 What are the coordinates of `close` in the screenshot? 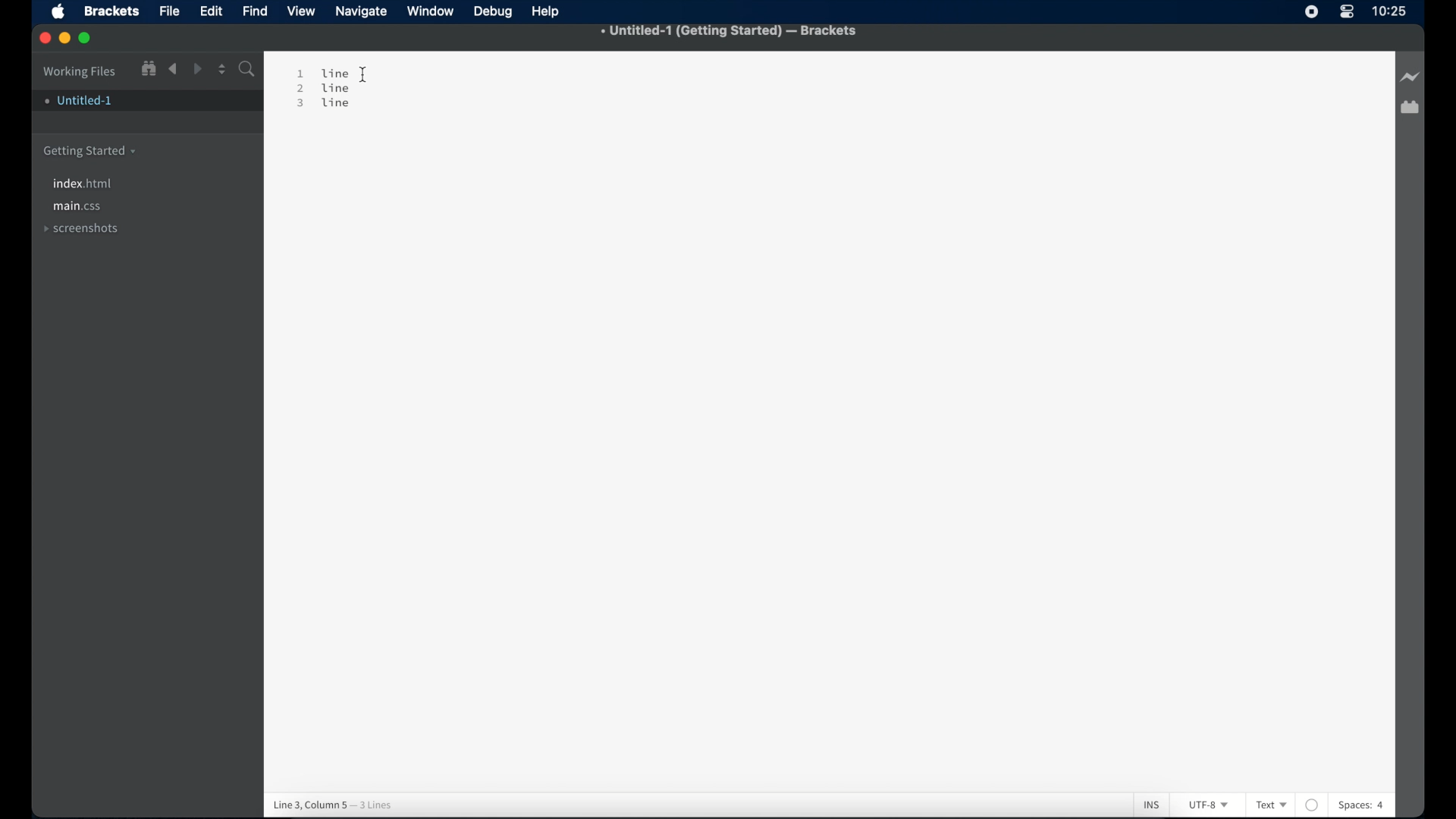 It's located at (46, 39).